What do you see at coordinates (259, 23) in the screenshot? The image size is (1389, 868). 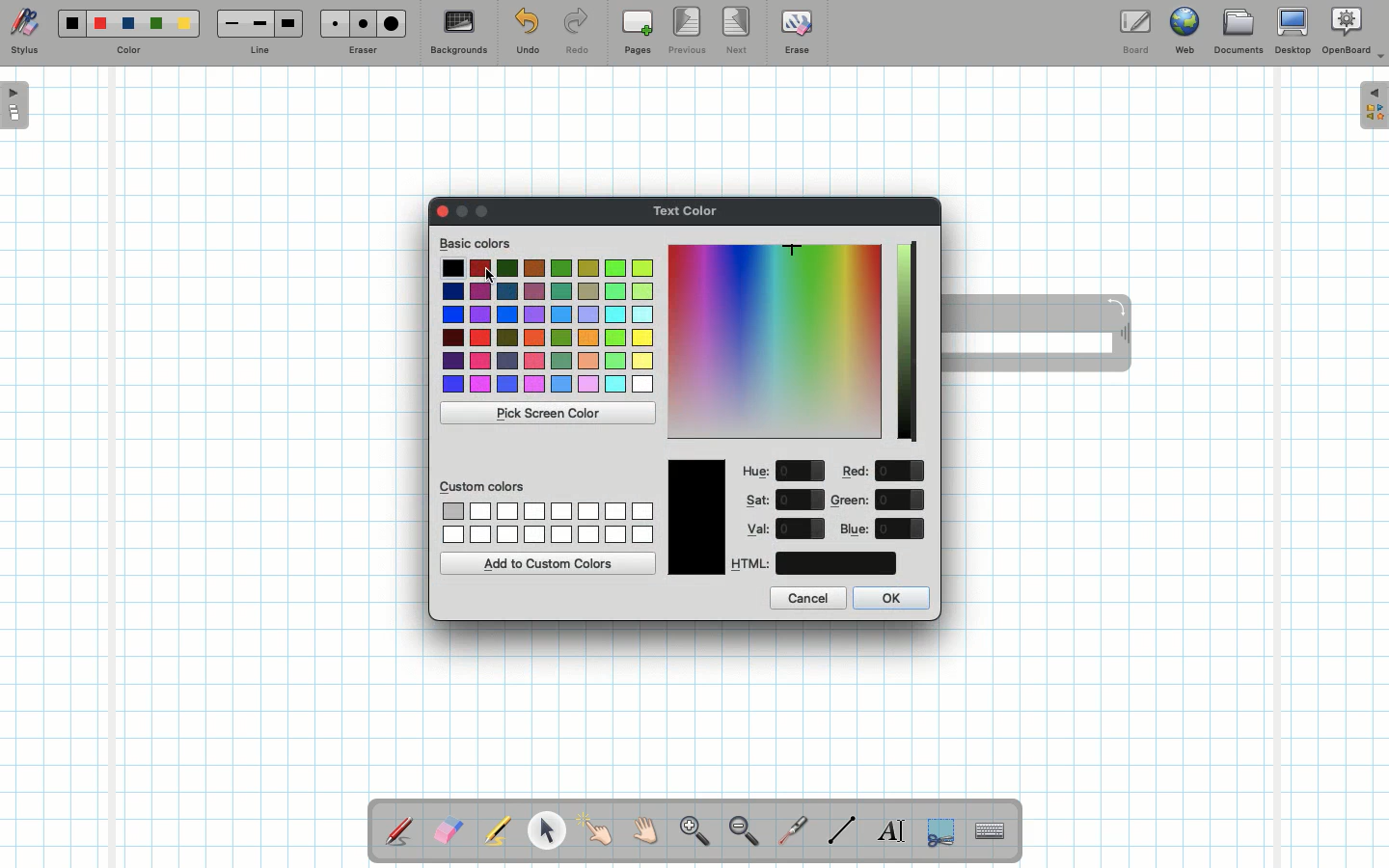 I see `Medium line` at bounding box center [259, 23].